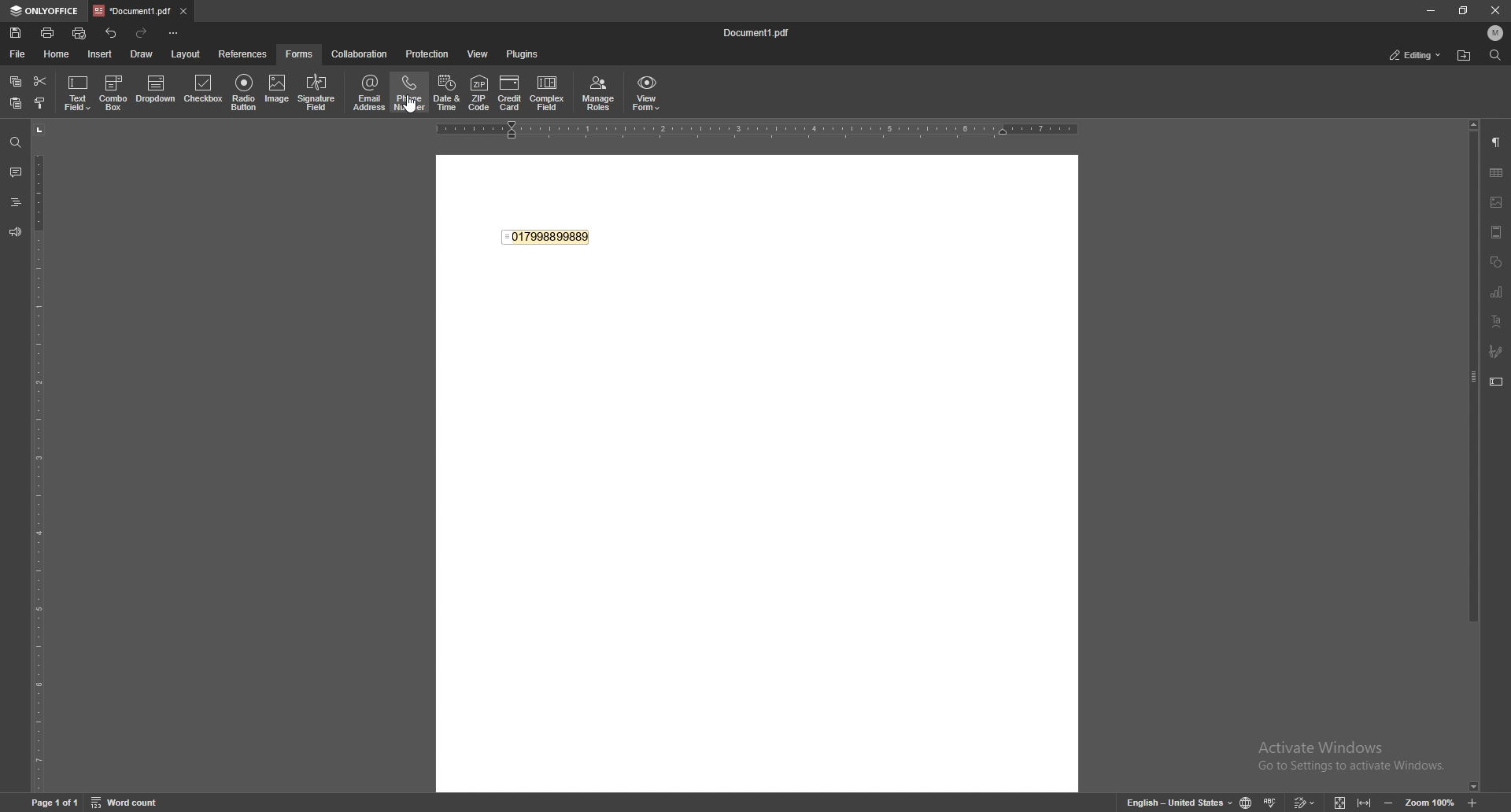 The width and height of the screenshot is (1511, 812). Describe the element at coordinates (15, 143) in the screenshot. I see `find` at that location.